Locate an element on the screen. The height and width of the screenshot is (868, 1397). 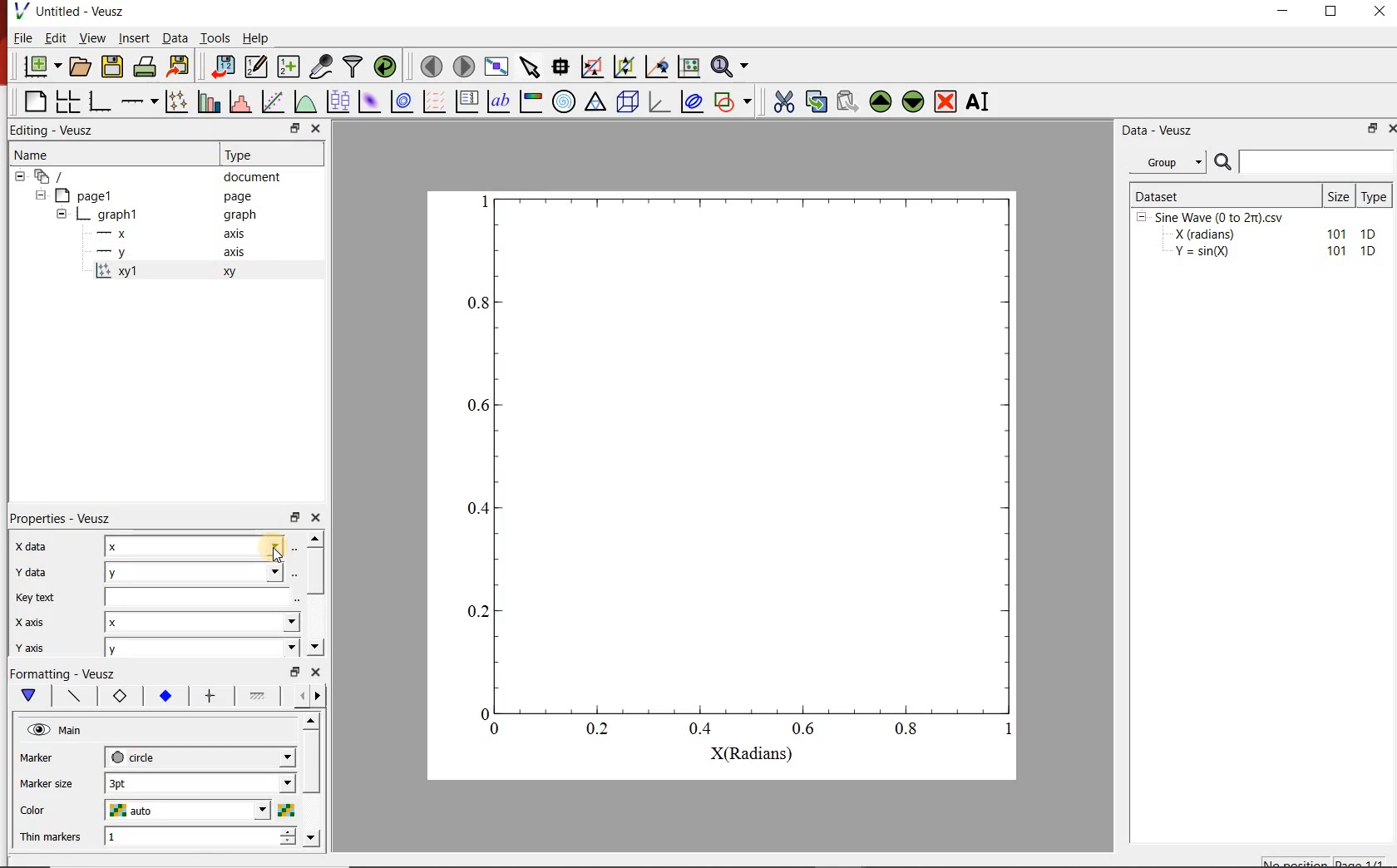
plot 2d dataset as contours is located at coordinates (402, 101).